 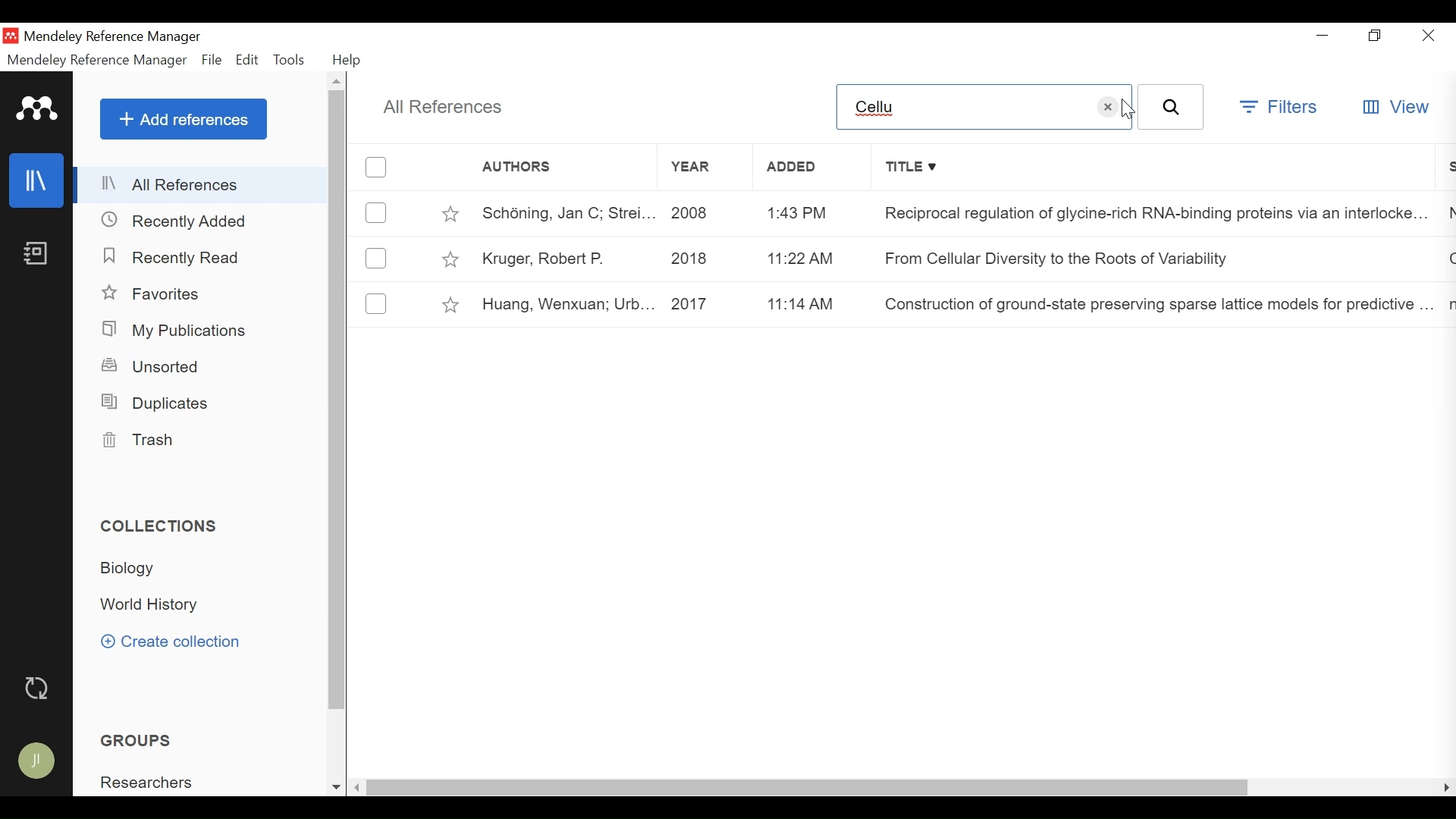 I want to click on 2018, so click(x=706, y=259).